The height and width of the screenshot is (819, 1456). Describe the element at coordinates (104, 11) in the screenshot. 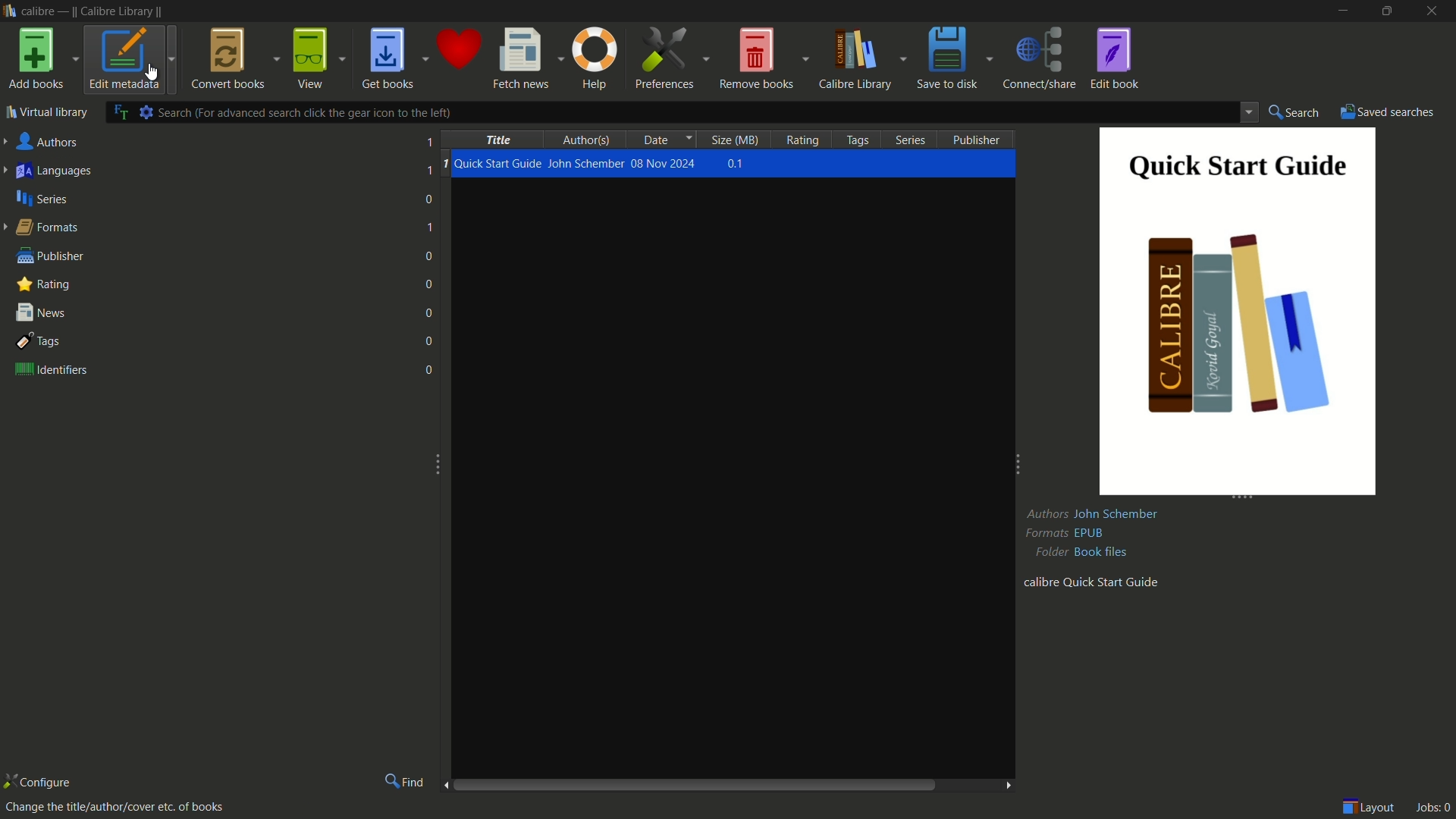

I see `calibre - || Calibre Library||` at that location.